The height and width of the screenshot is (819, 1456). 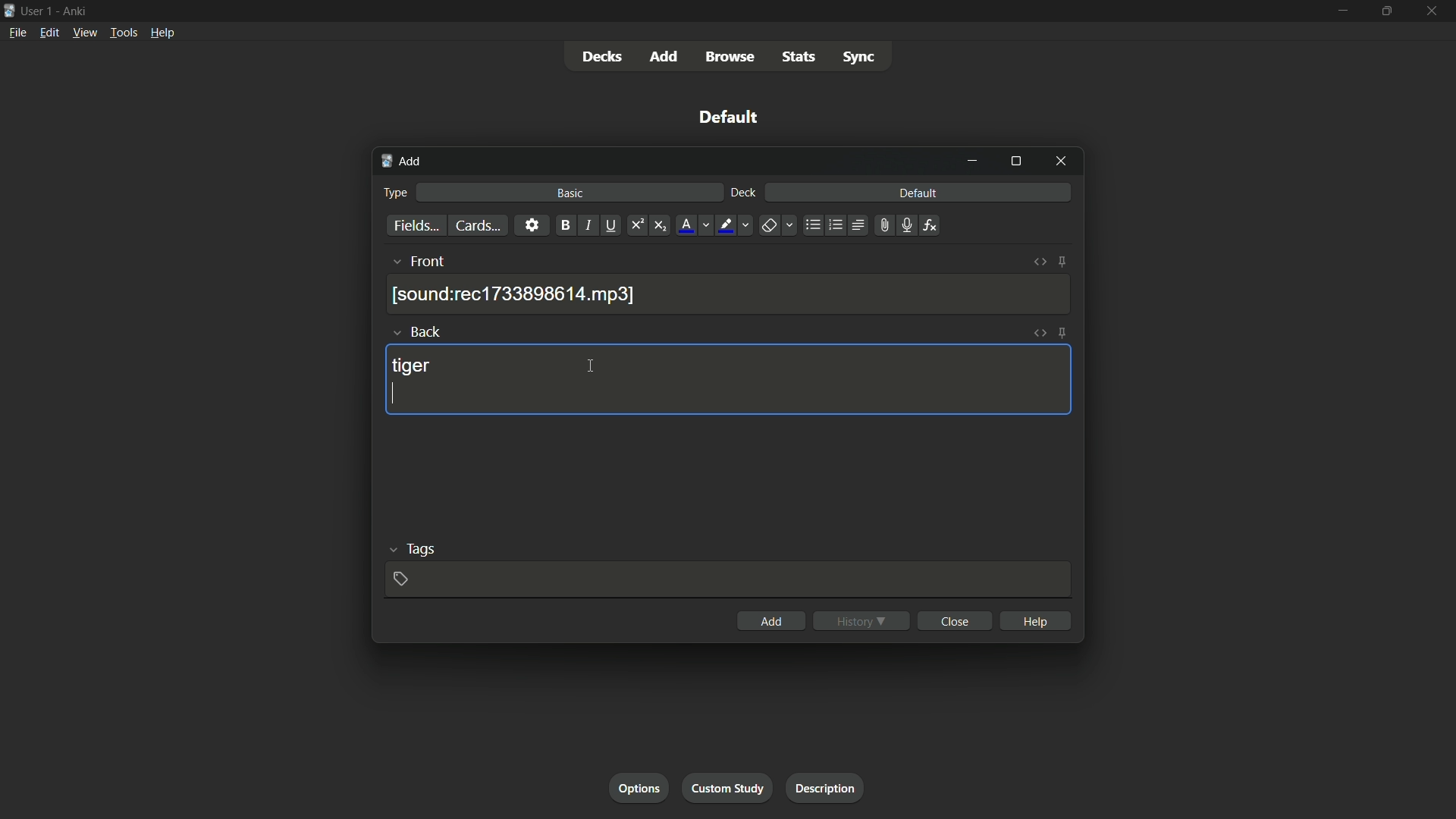 What do you see at coordinates (591, 367) in the screenshot?
I see `cursor` at bounding box center [591, 367].